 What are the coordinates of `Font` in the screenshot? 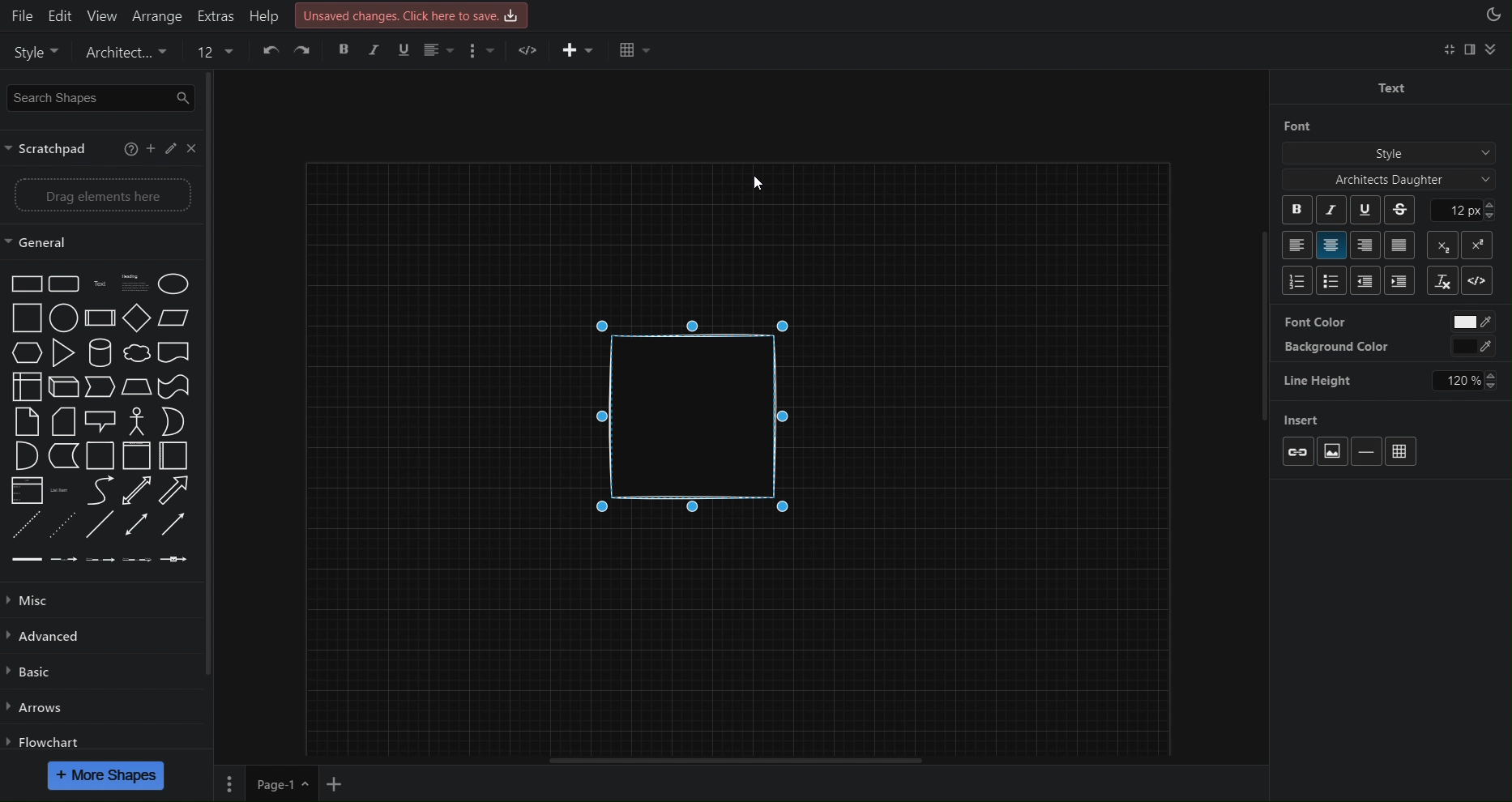 It's located at (1291, 126).